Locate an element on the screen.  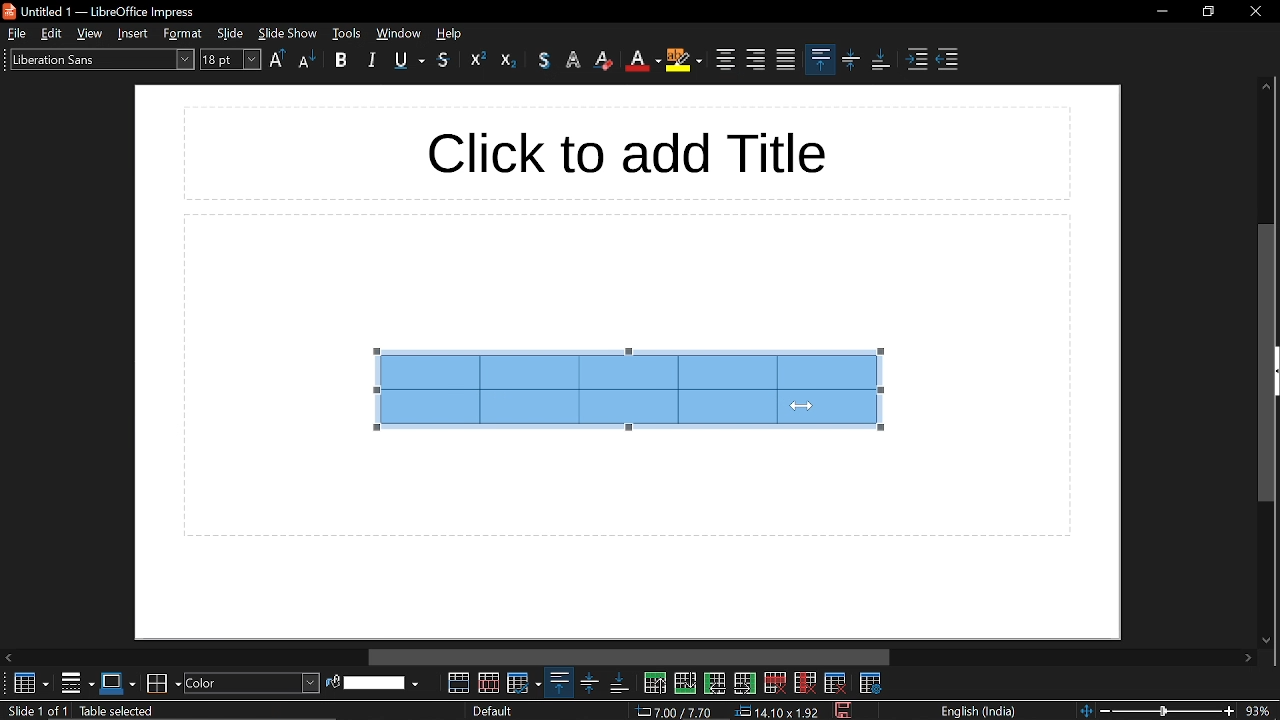
help is located at coordinates (451, 34).